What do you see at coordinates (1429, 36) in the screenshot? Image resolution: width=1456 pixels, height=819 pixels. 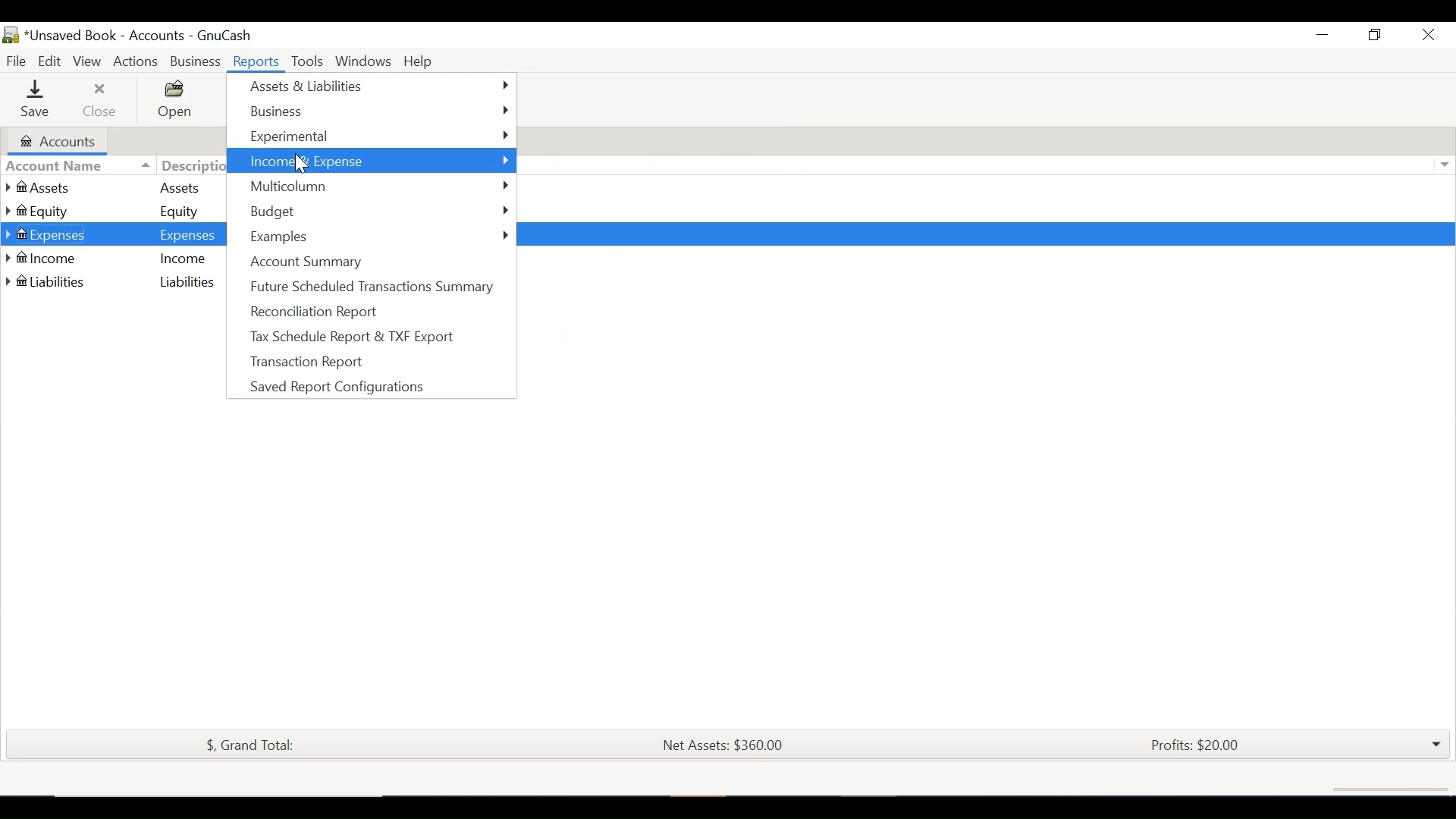 I see `Close` at bounding box center [1429, 36].